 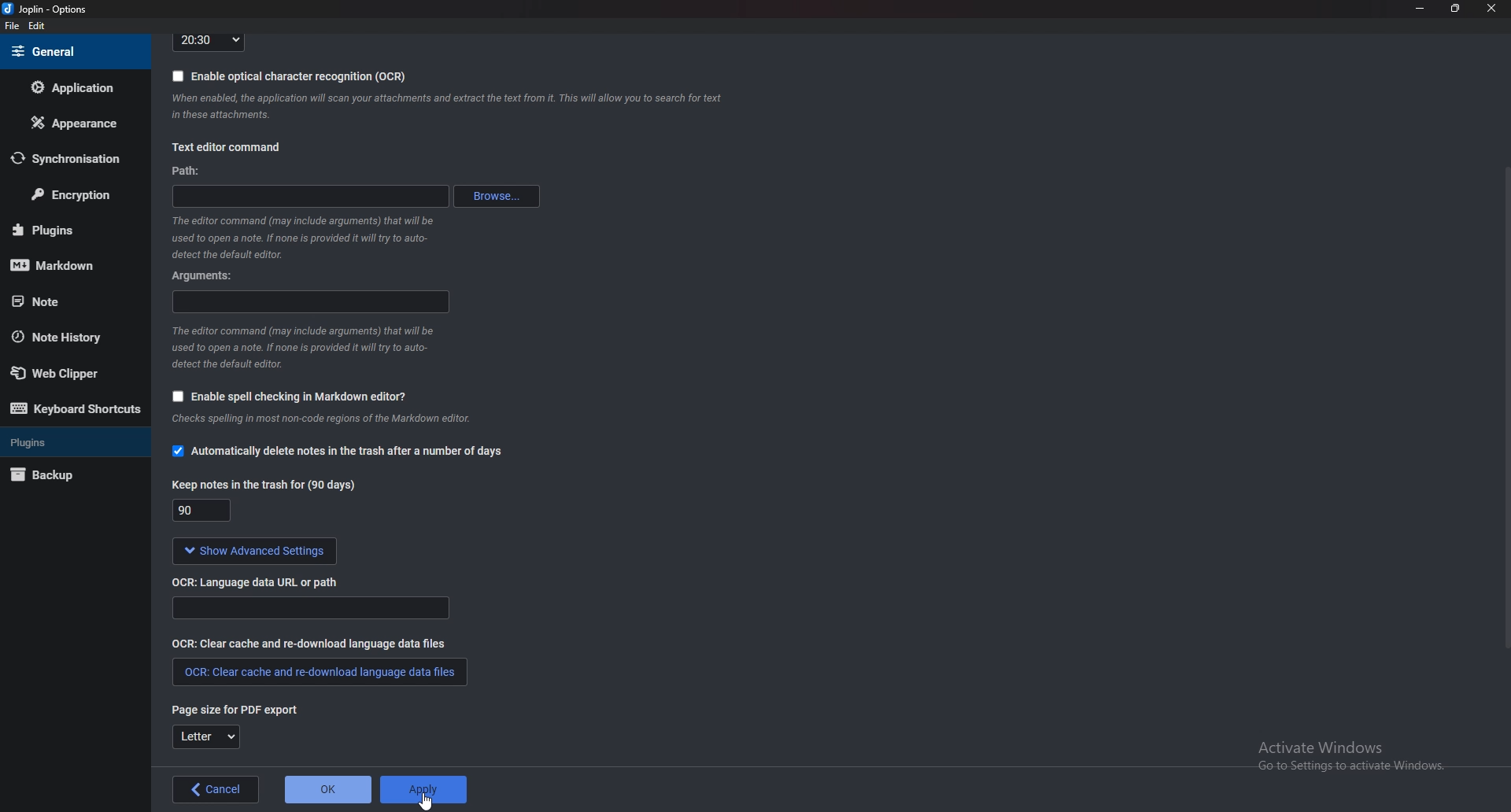 I want to click on Time format, so click(x=209, y=41).